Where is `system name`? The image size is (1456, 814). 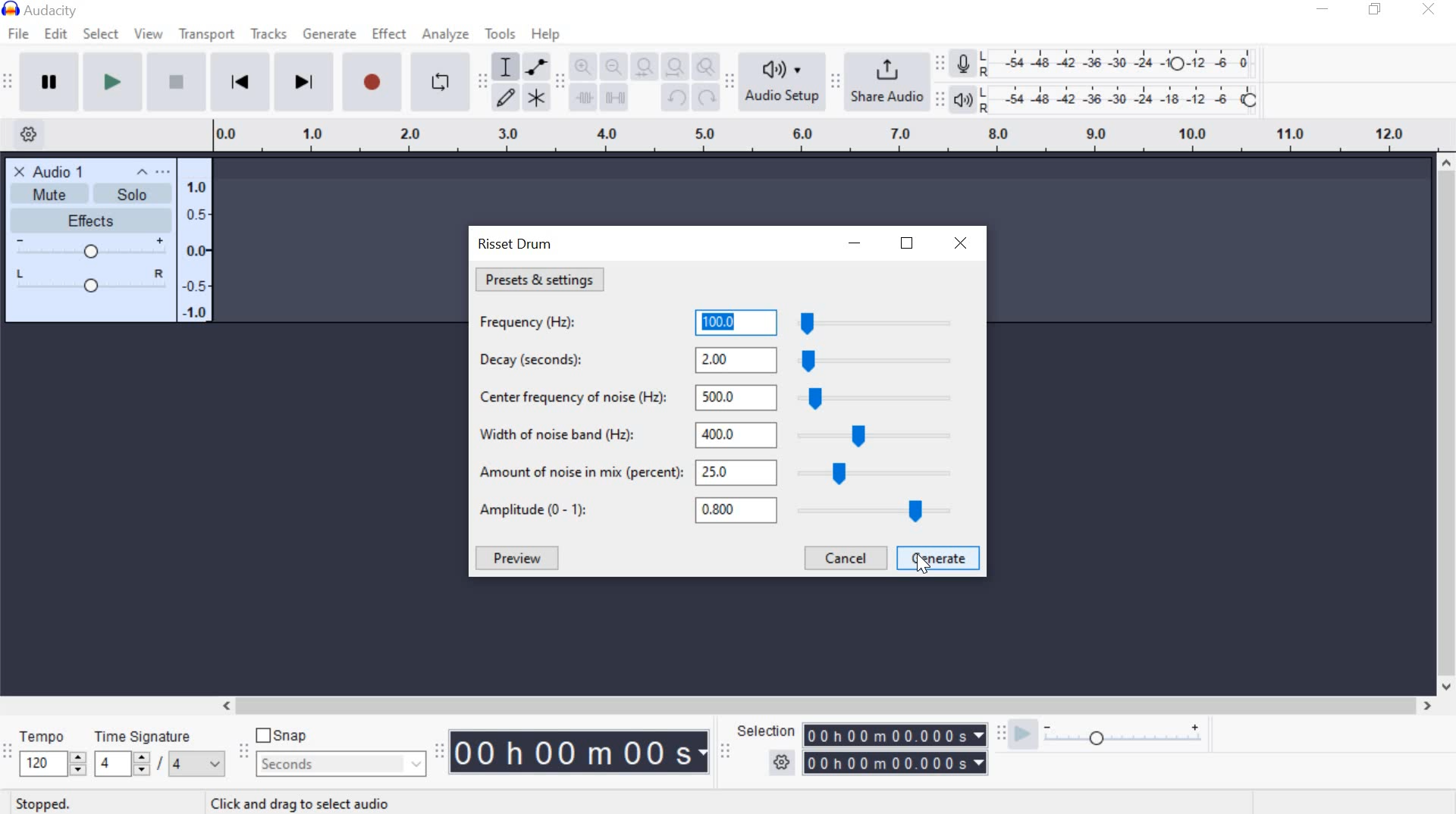 system name is located at coordinates (47, 9).